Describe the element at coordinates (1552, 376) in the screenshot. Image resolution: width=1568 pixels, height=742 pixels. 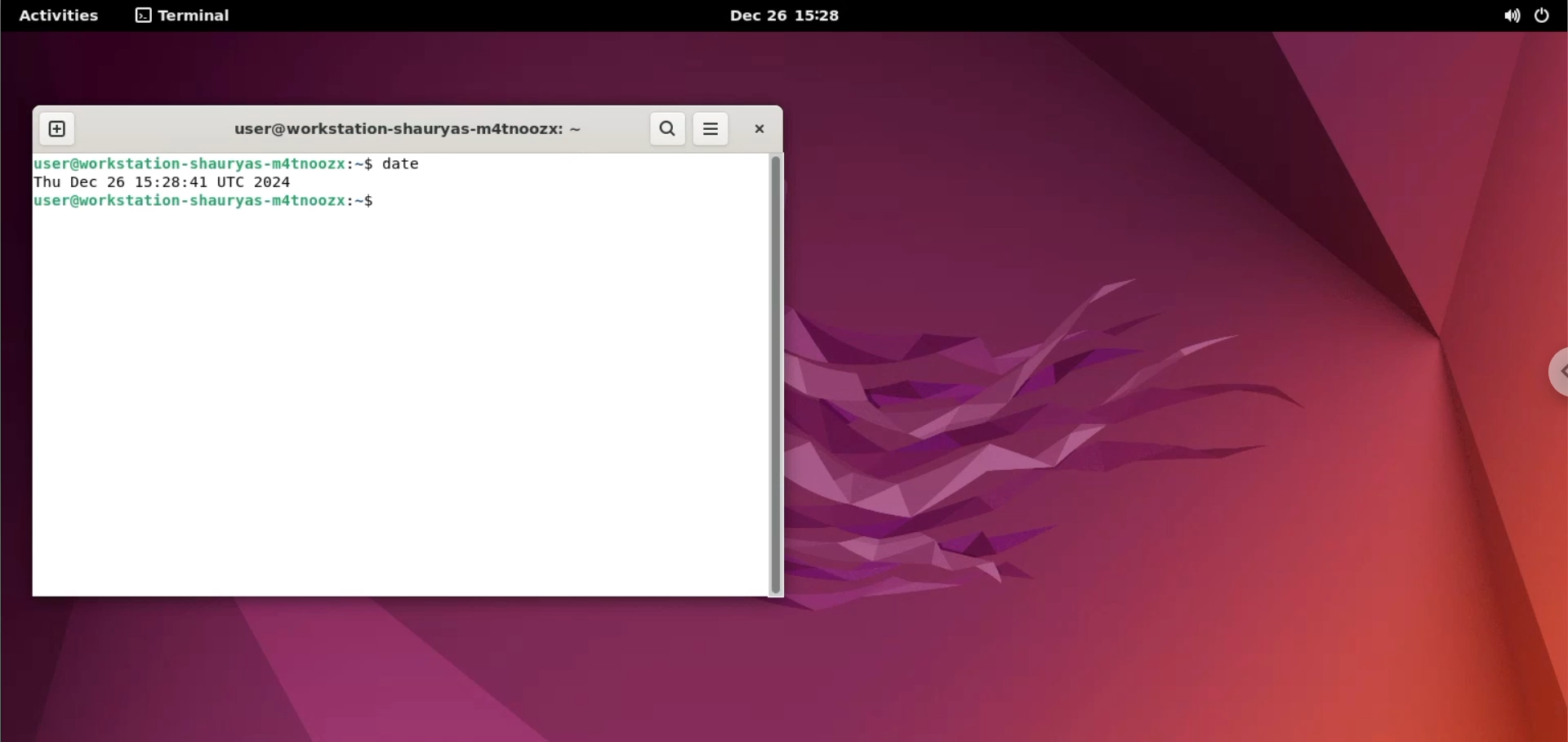
I see `chrome options` at that location.